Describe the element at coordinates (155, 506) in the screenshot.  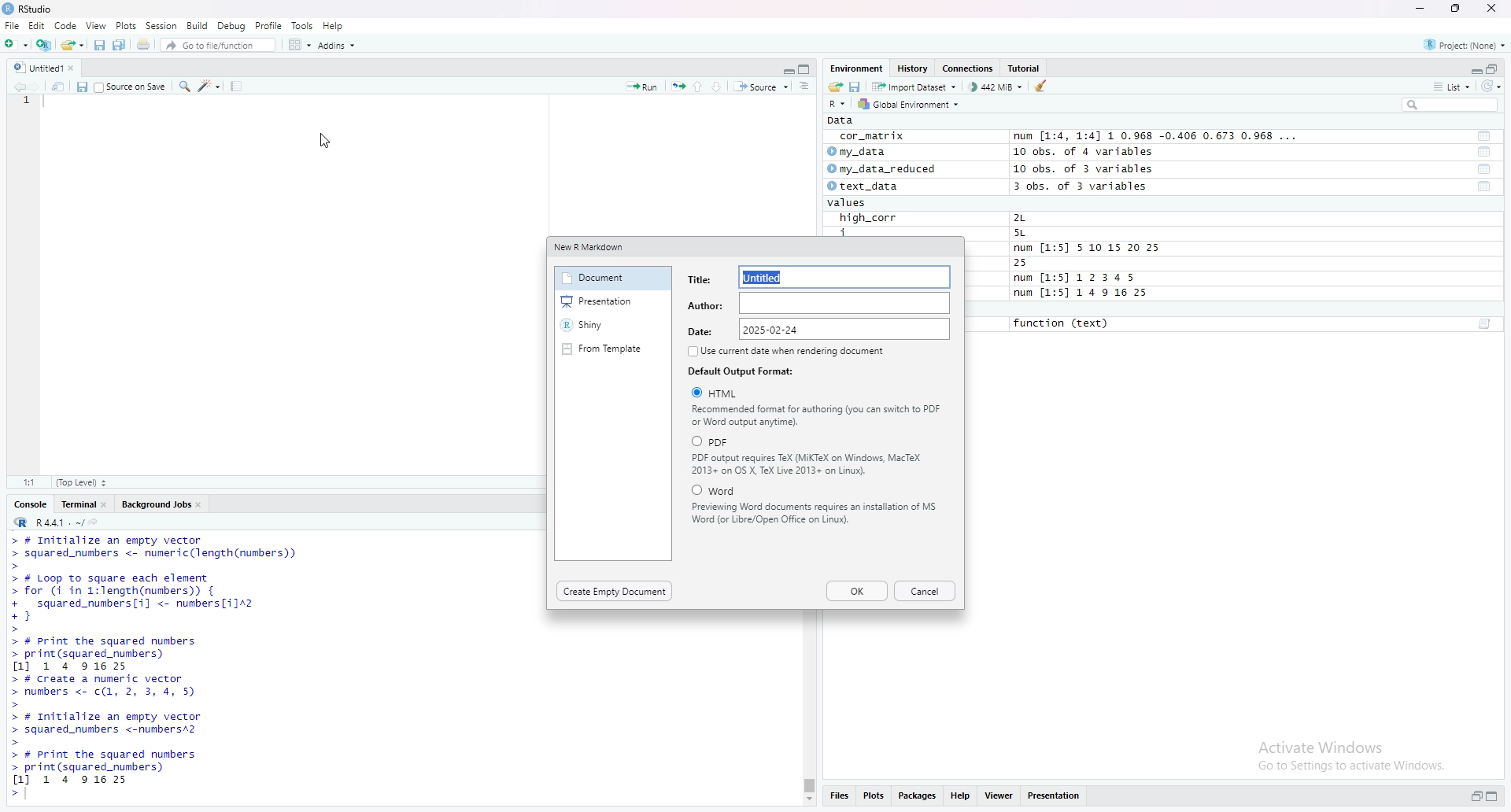
I see `Background job` at that location.